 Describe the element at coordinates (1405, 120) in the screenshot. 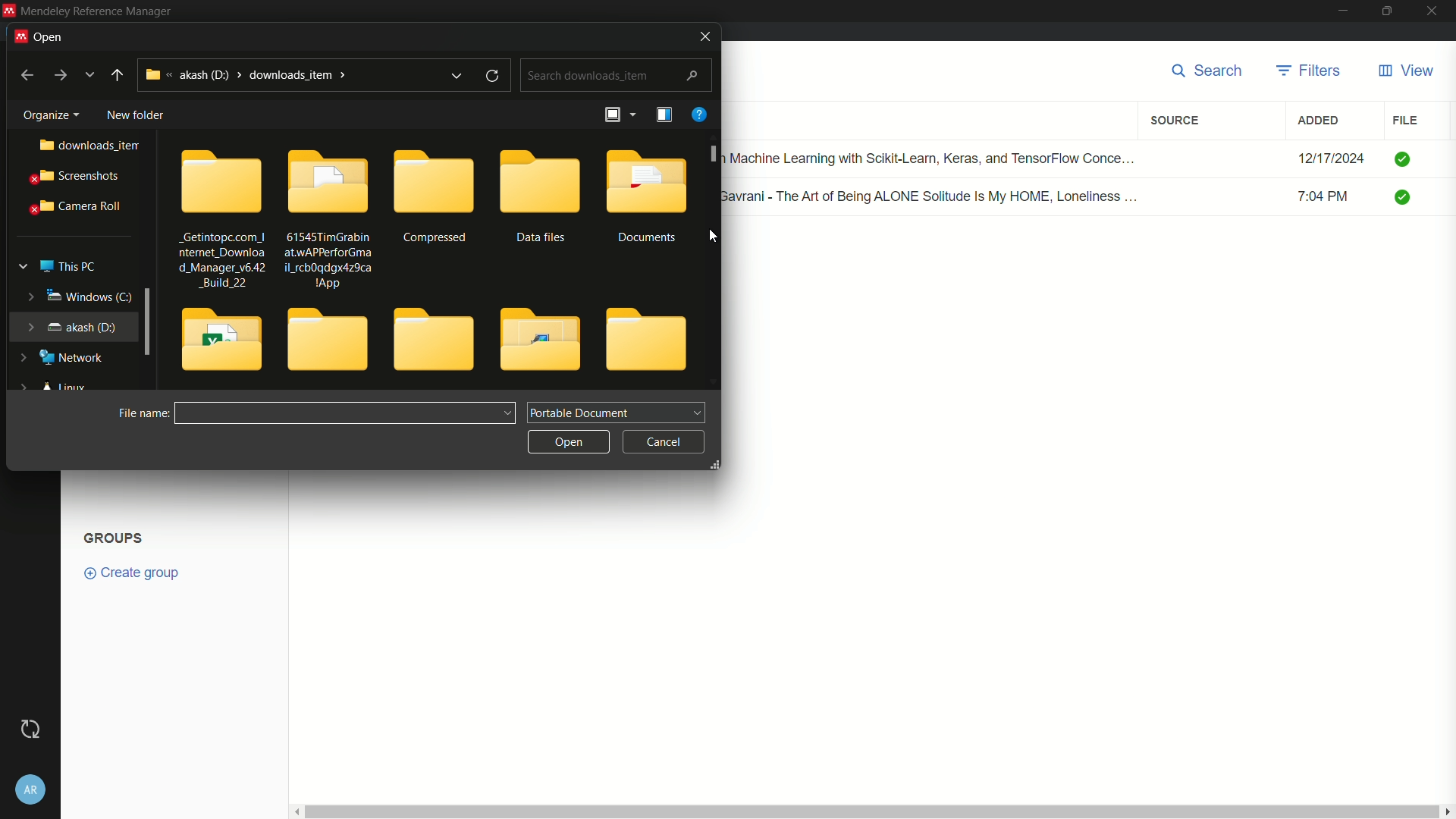

I see `file` at that location.